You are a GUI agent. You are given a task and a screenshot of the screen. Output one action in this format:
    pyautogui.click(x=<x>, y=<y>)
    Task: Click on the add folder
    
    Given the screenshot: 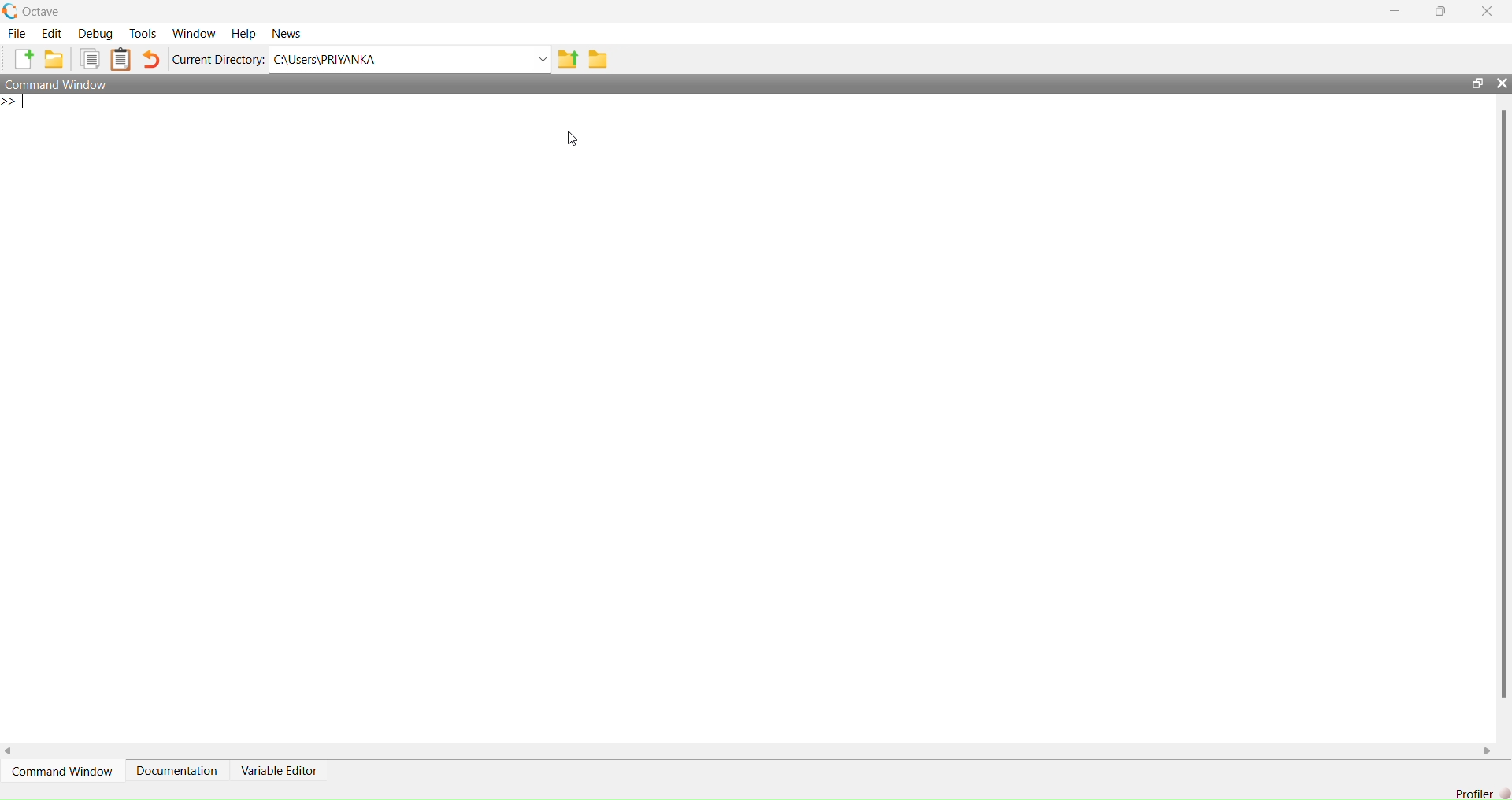 What is the action you would take?
    pyautogui.click(x=54, y=58)
    